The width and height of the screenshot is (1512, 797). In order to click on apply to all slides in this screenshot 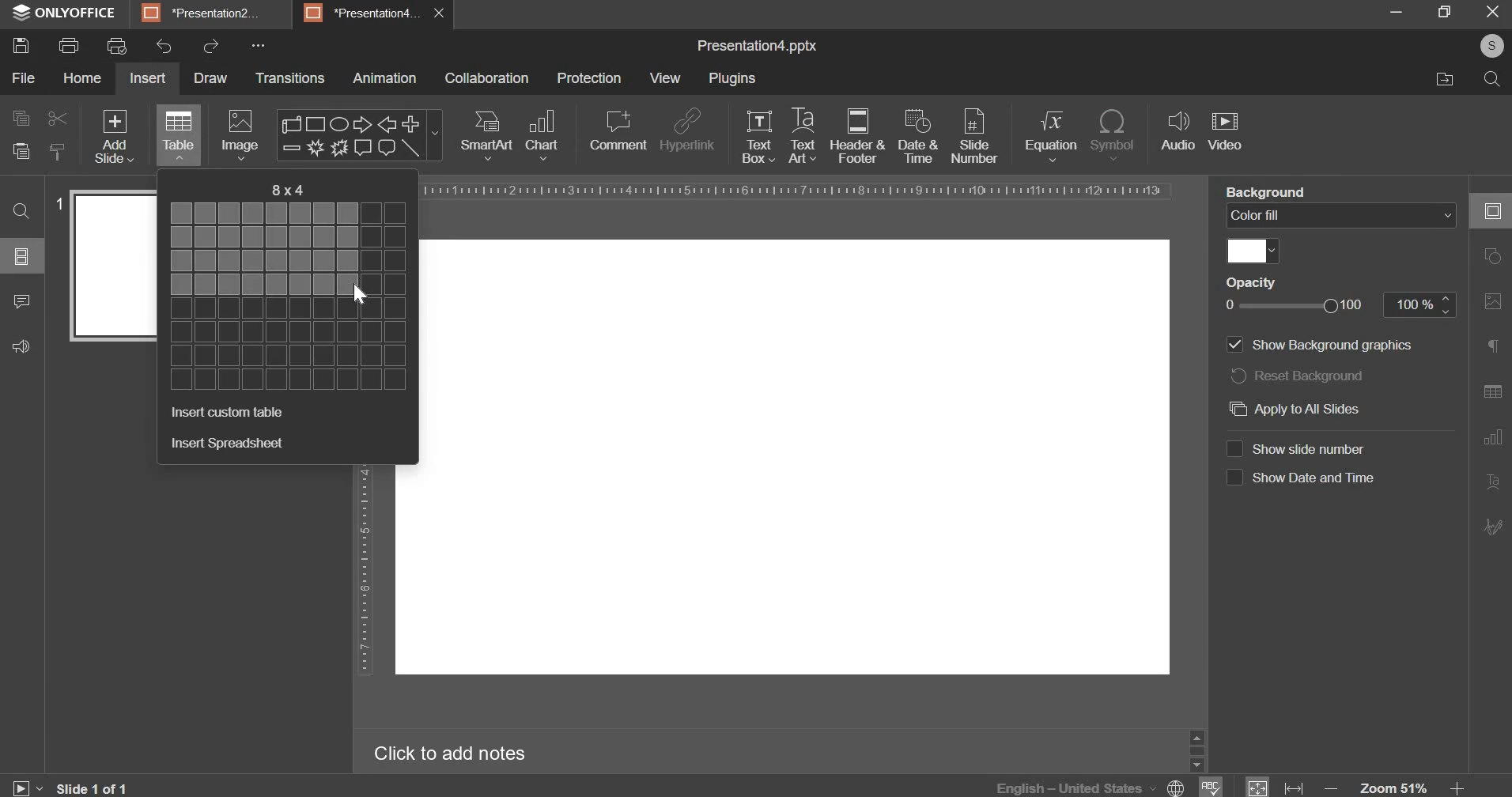, I will do `click(1297, 408)`.